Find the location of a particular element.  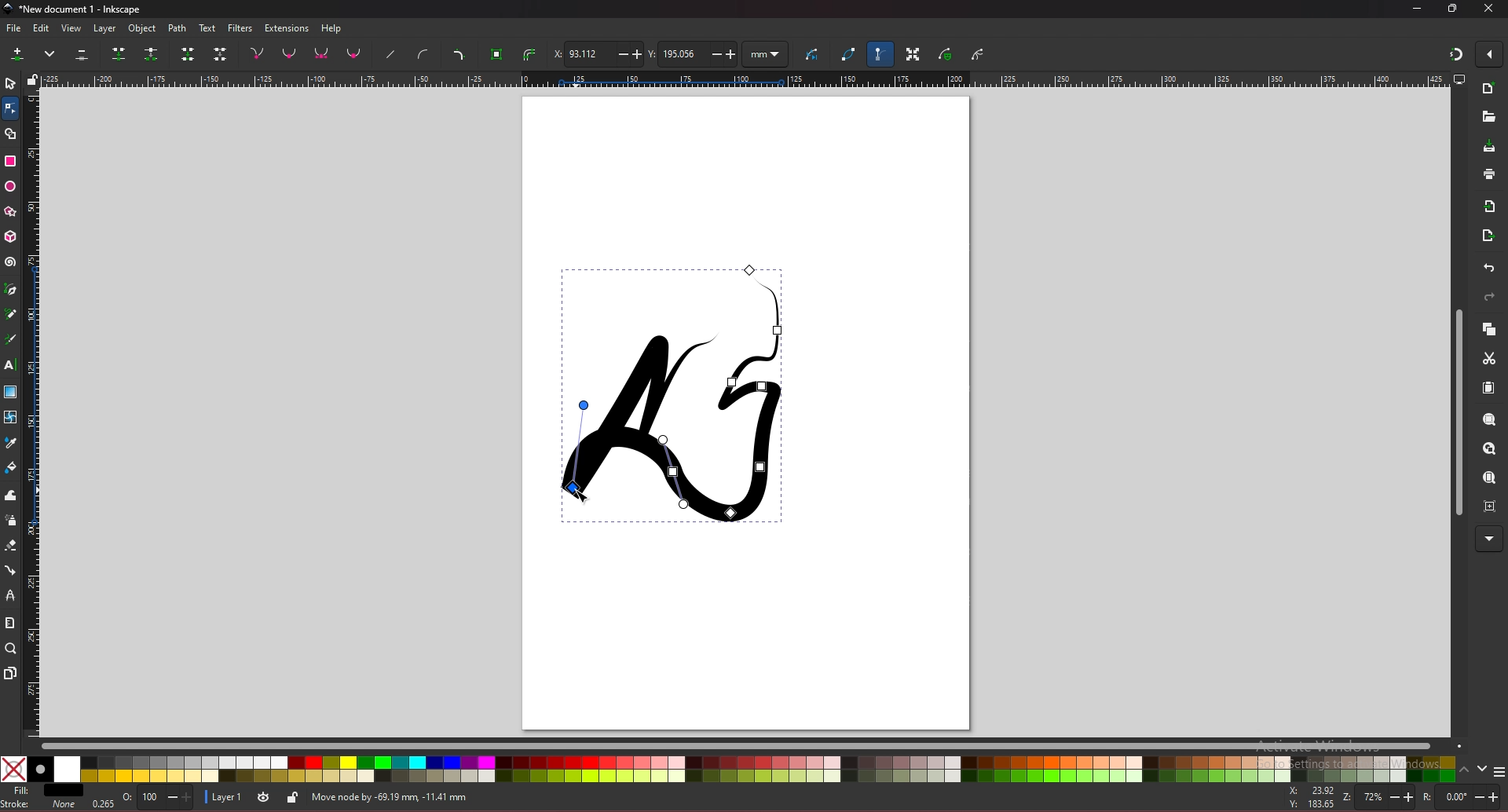

path outline is located at coordinates (849, 53).